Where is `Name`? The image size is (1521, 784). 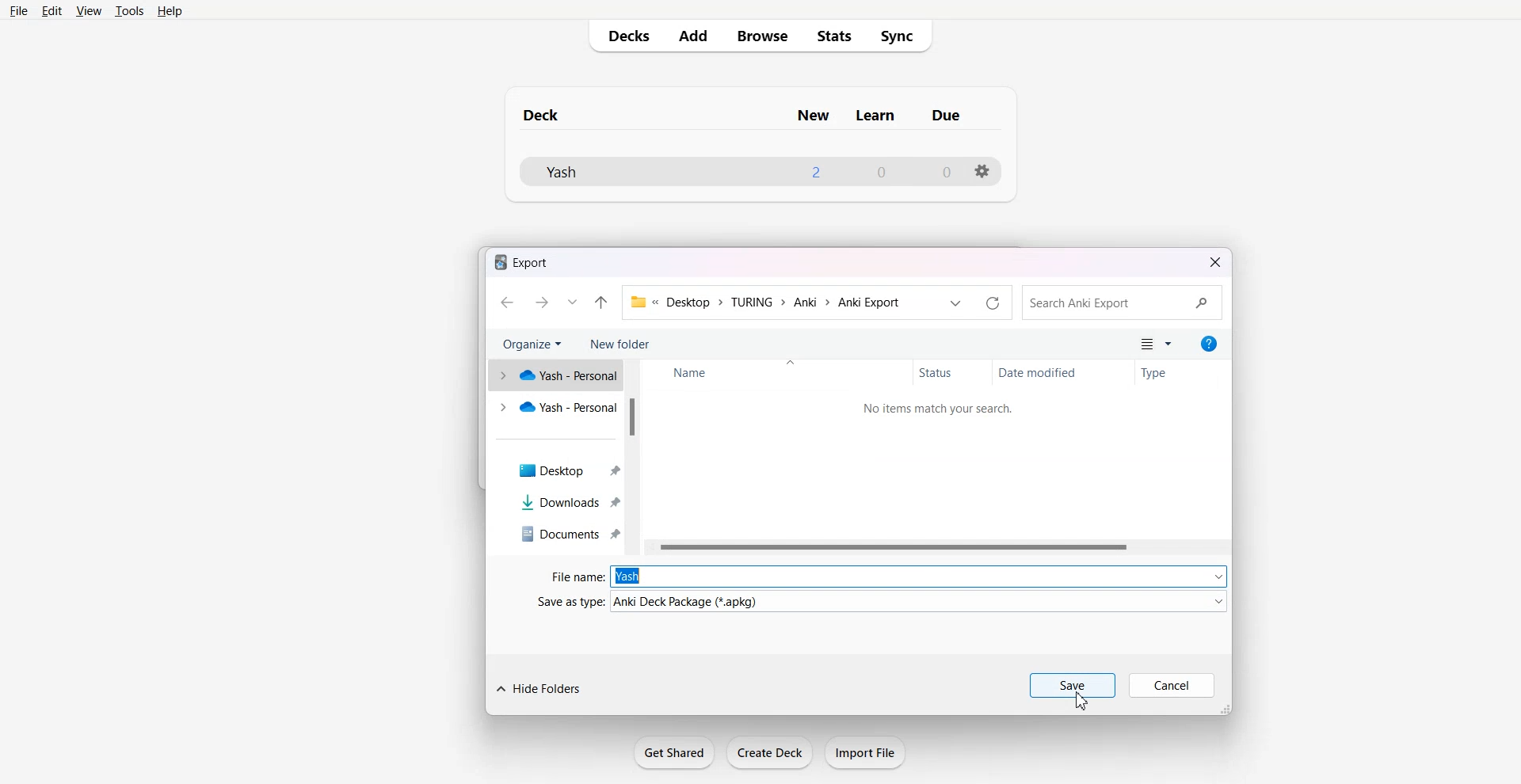 Name is located at coordinates (719, 372).